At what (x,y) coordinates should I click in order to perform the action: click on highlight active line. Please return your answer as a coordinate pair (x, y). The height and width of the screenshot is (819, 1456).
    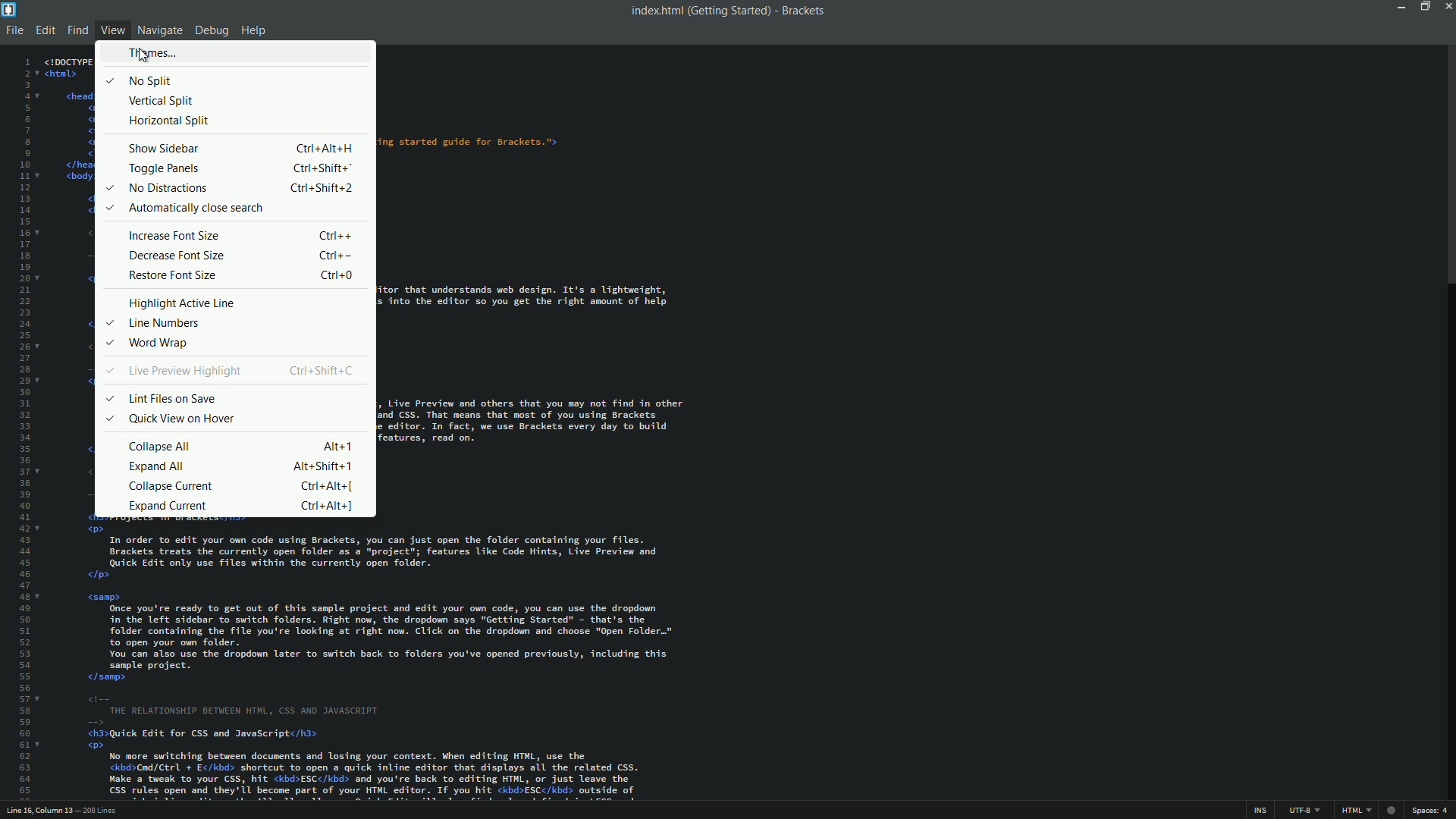
    Looking at the image, I should click on (183, 303).